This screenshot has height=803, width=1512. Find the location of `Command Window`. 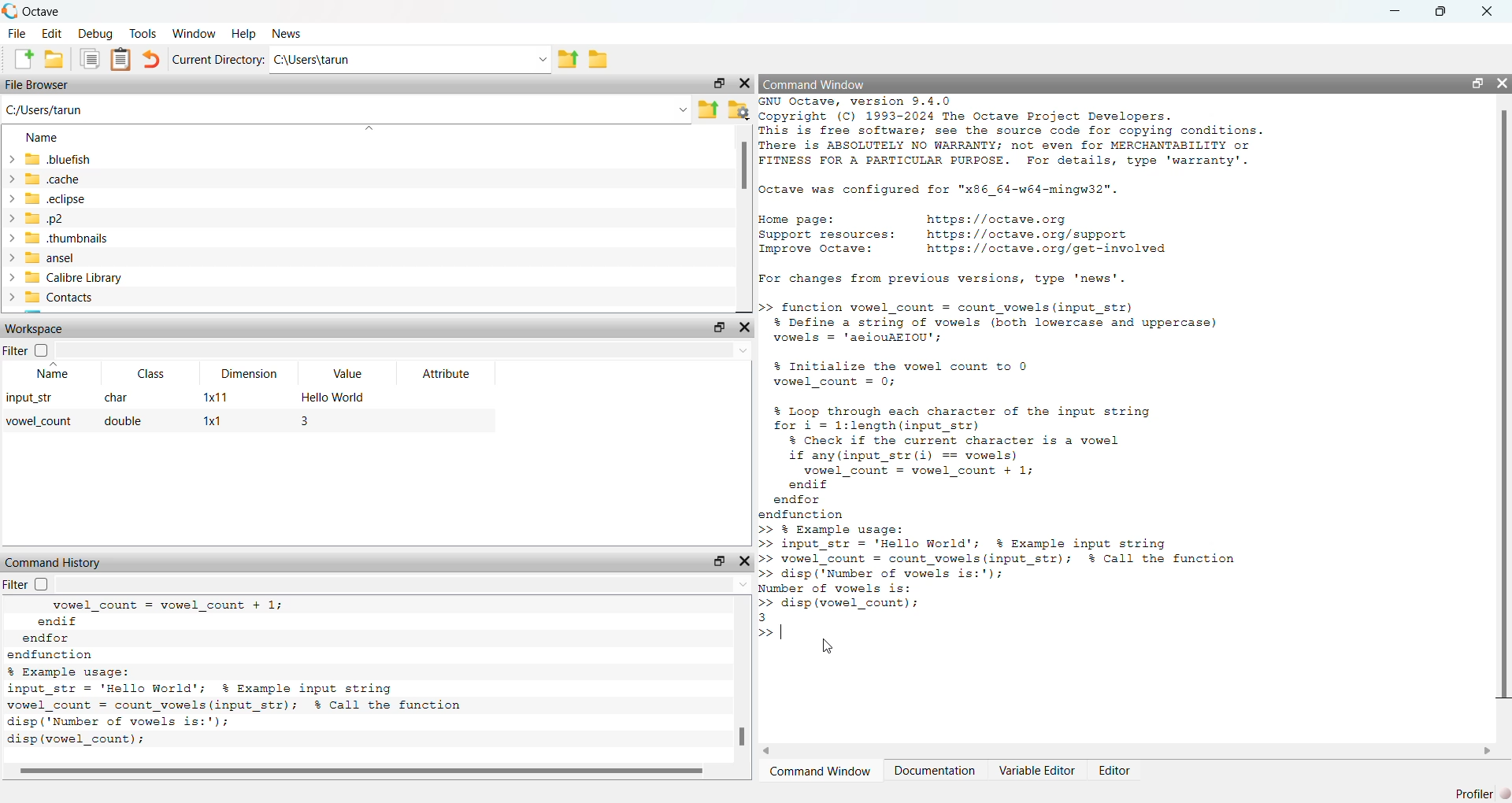

Command Window is located at coordinates (815, 84).